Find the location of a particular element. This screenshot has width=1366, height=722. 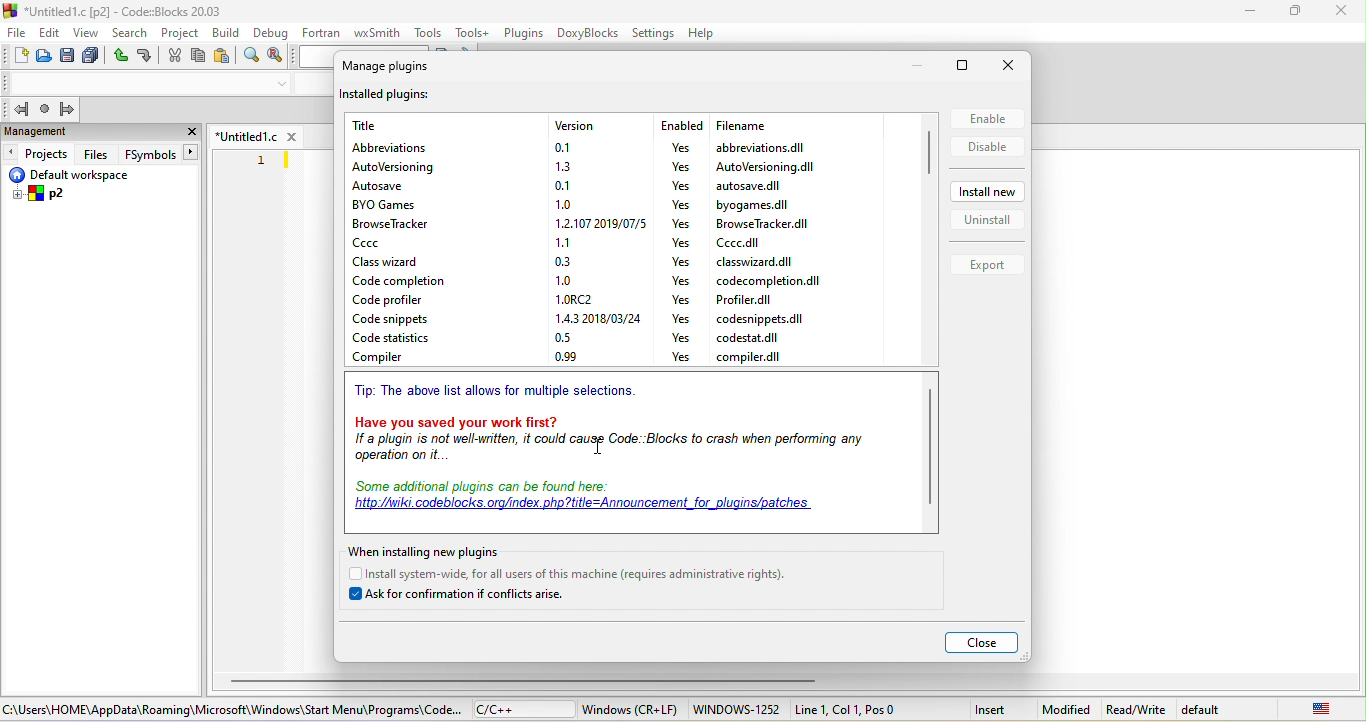

yes is located at coordinates (681, 337).